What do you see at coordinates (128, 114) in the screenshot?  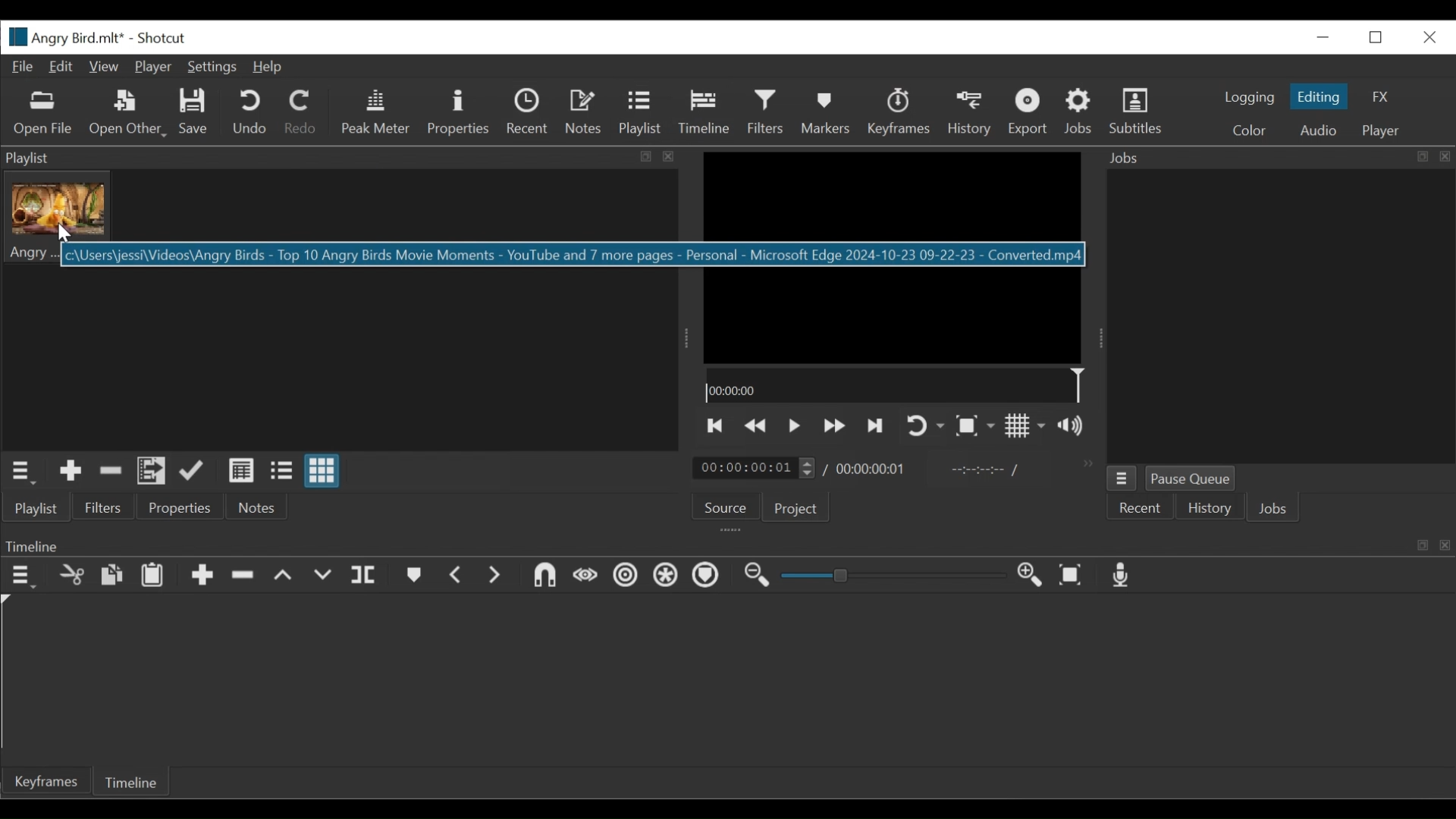 I see `Open Other` at bounding box center [128, 114].